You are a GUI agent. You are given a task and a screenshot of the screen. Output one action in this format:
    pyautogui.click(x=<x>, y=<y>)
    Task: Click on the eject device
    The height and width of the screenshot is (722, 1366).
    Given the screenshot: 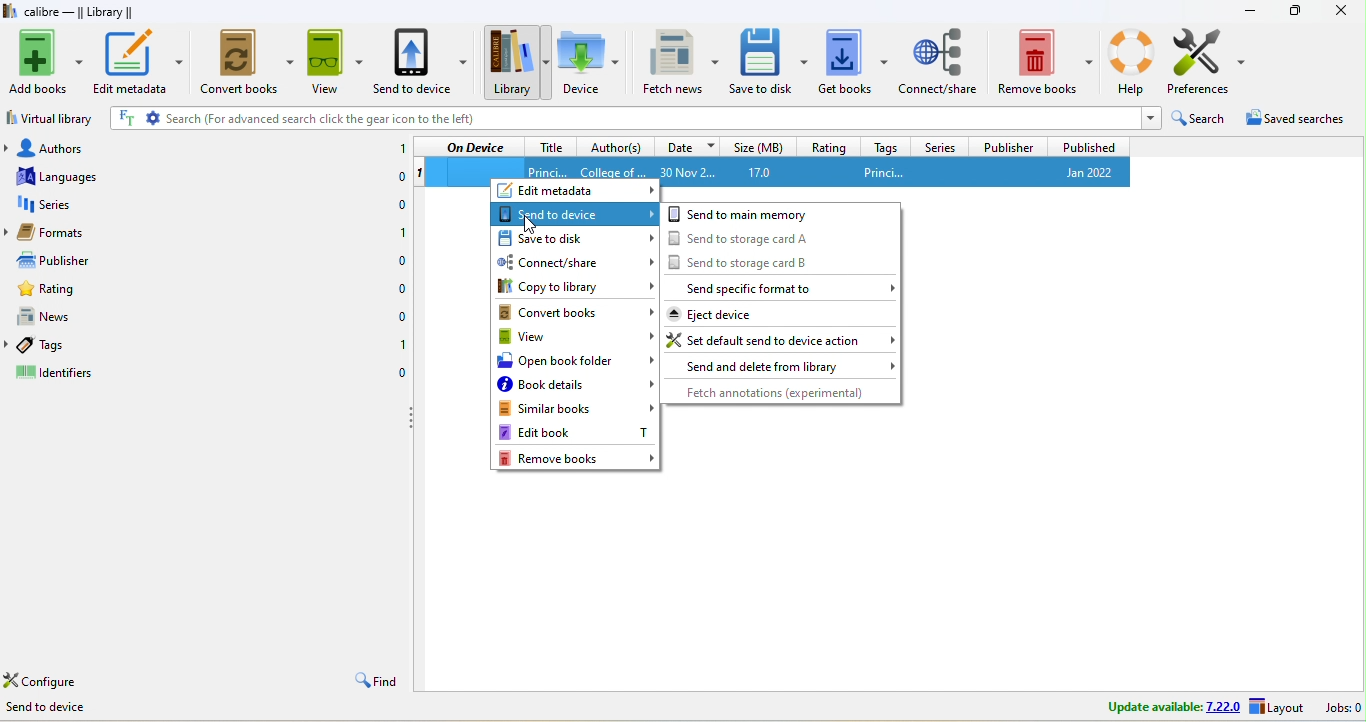 What is the action you would take?
    pyautogui.click(x=780, y=313)
    